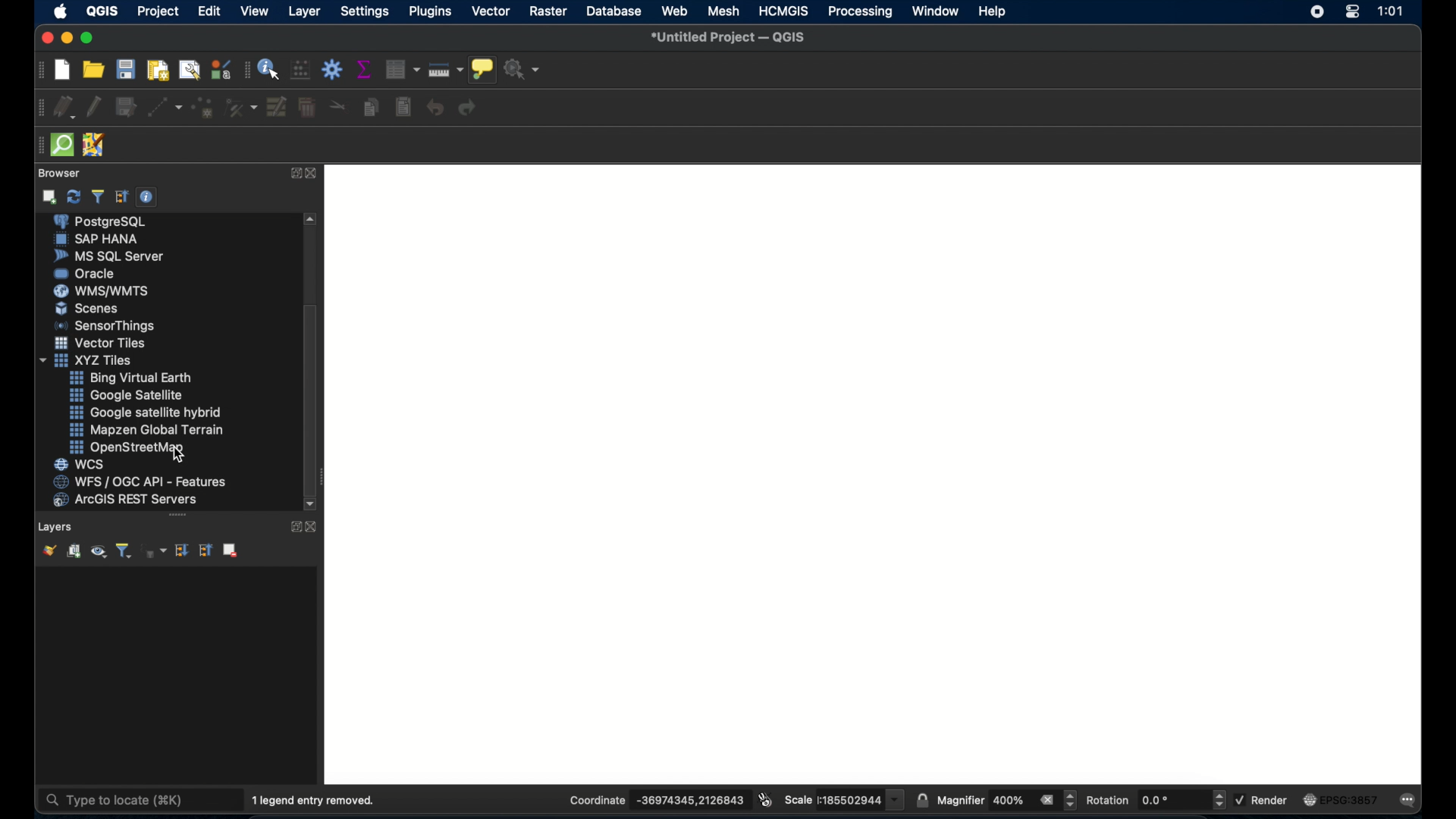  I want to click on openstreetmap, so click(128, 447).